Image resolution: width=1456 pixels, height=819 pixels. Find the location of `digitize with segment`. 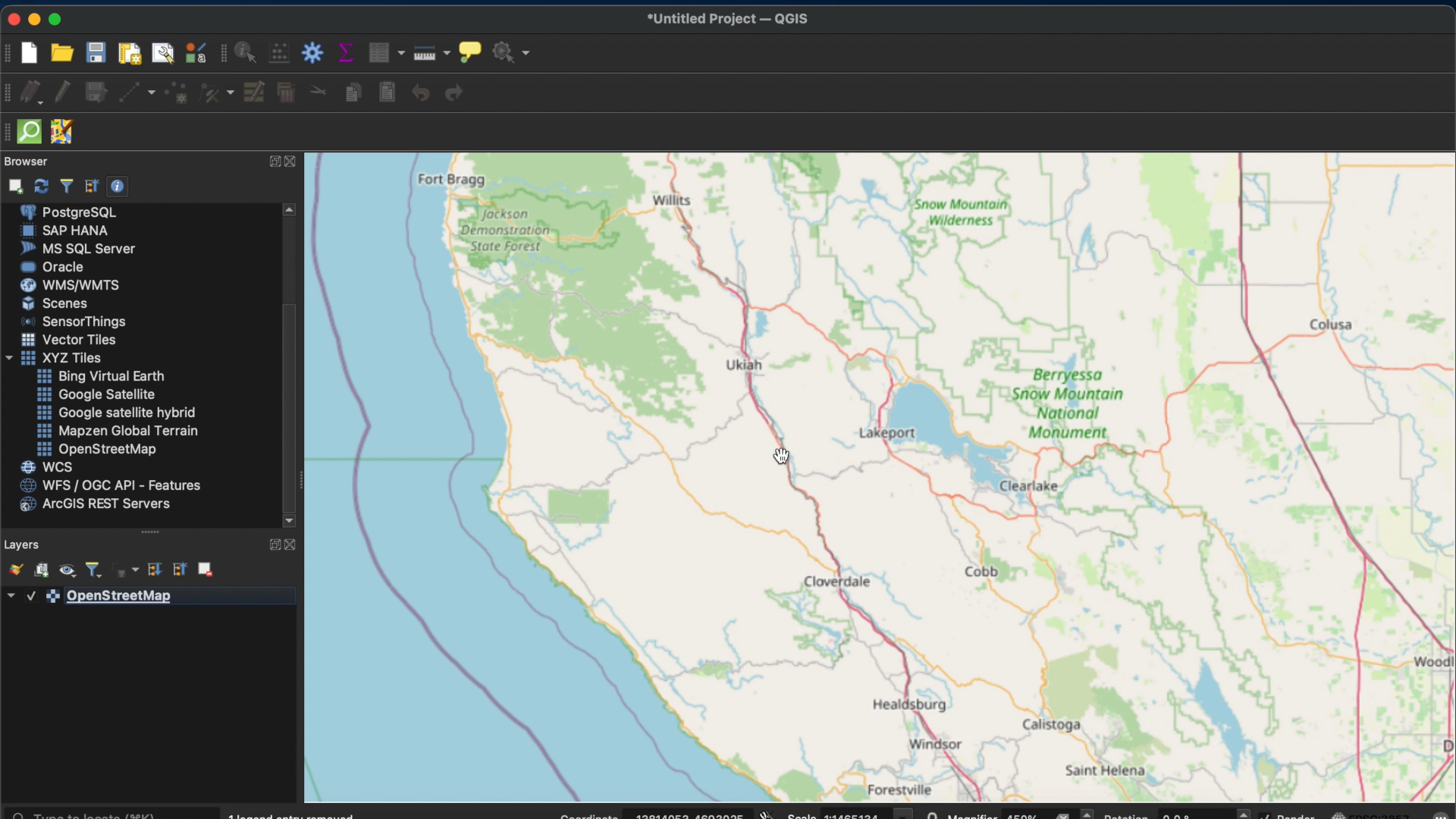

digitize with segment is located at coordinates (134, 93).